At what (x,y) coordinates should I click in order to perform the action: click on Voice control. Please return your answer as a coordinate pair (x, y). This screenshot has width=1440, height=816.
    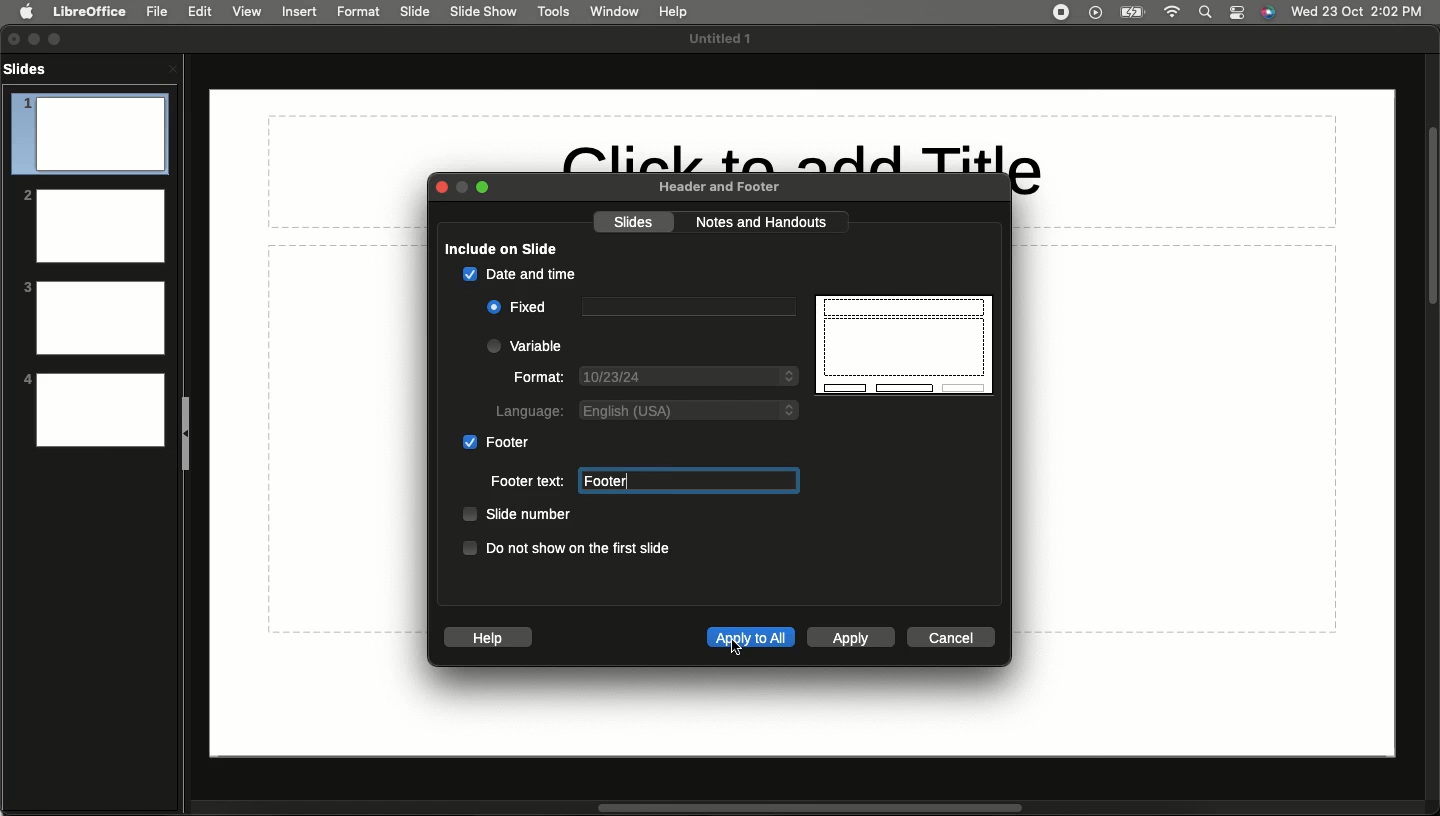
    Looking at the image, I should click on (1268, 13).